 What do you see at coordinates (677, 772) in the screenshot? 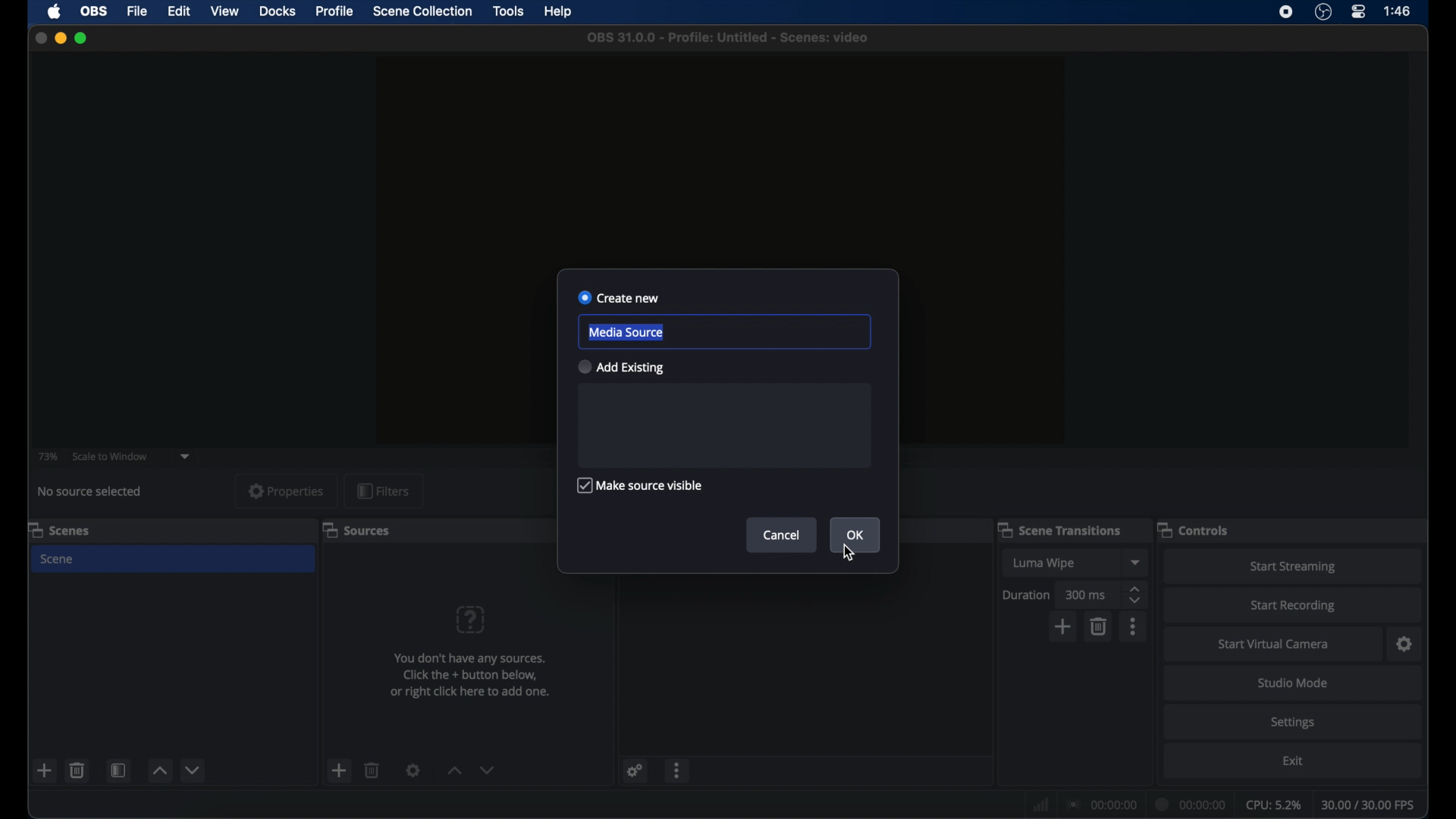
I see `more options` at bounding box center [677, 772].